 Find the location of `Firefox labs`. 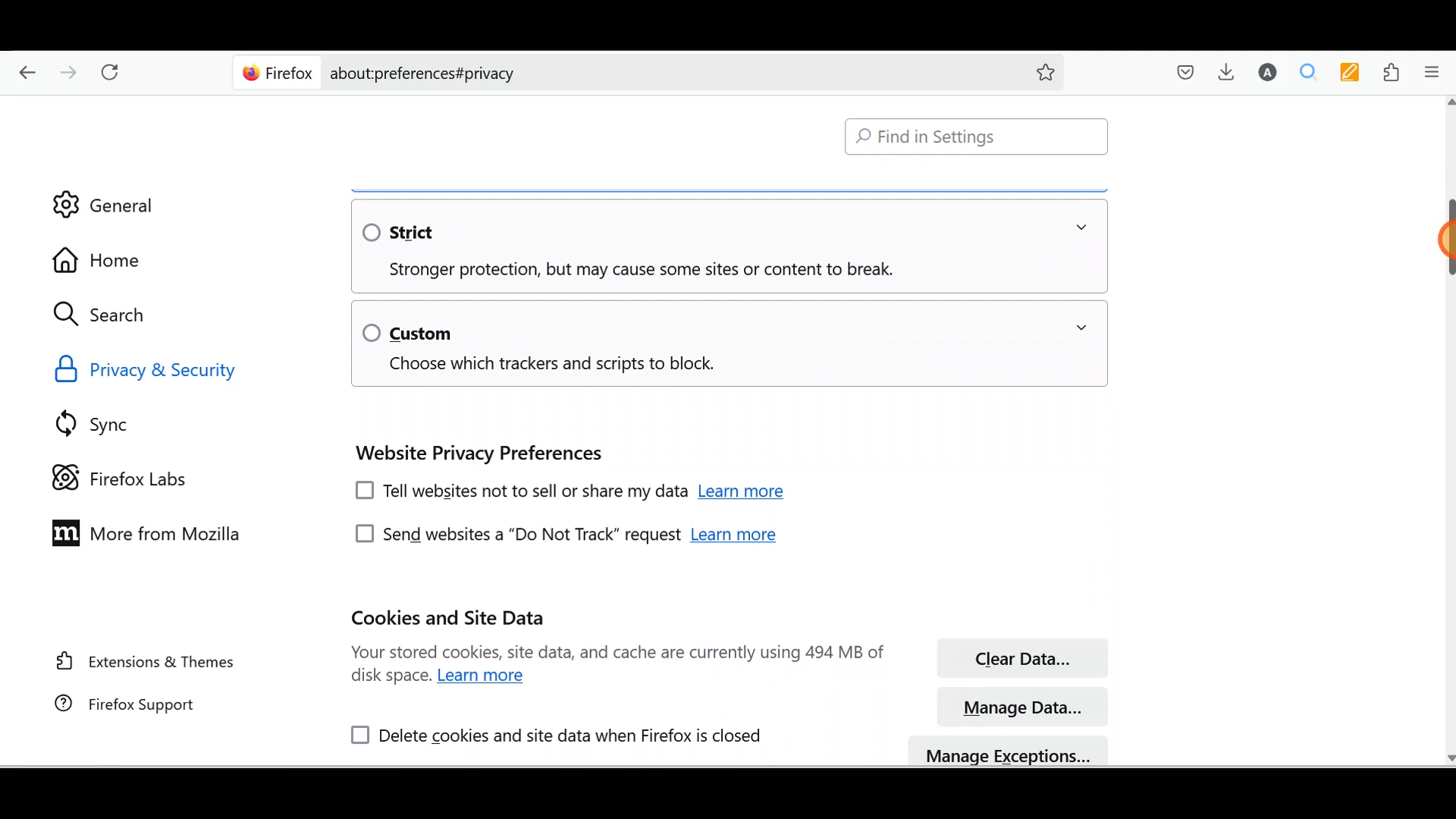

Firefox labs is located at coordinates (126, 479).